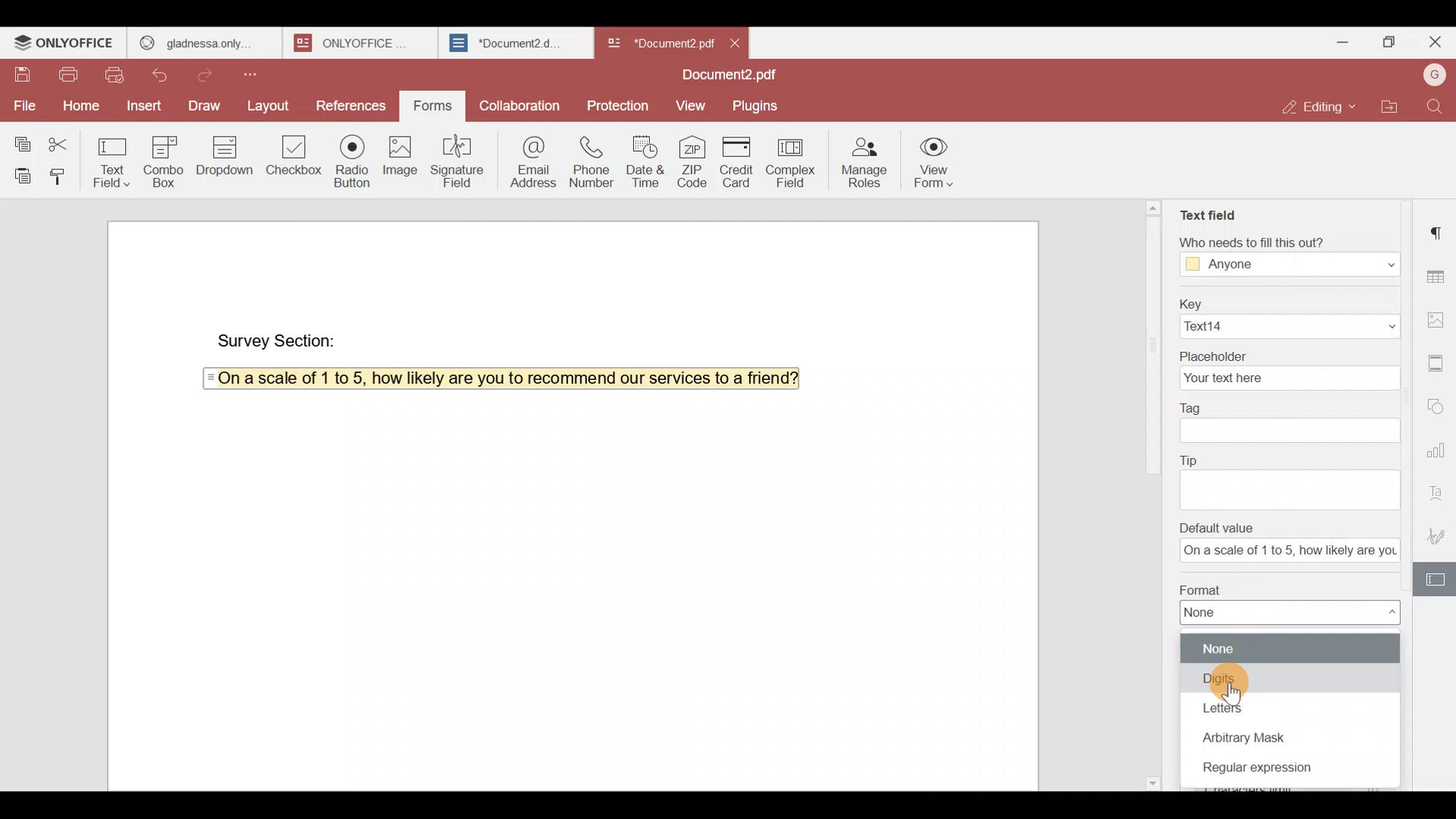 The image size is (1456, 819). I want to click on scroll bar, so click(1148, 338).